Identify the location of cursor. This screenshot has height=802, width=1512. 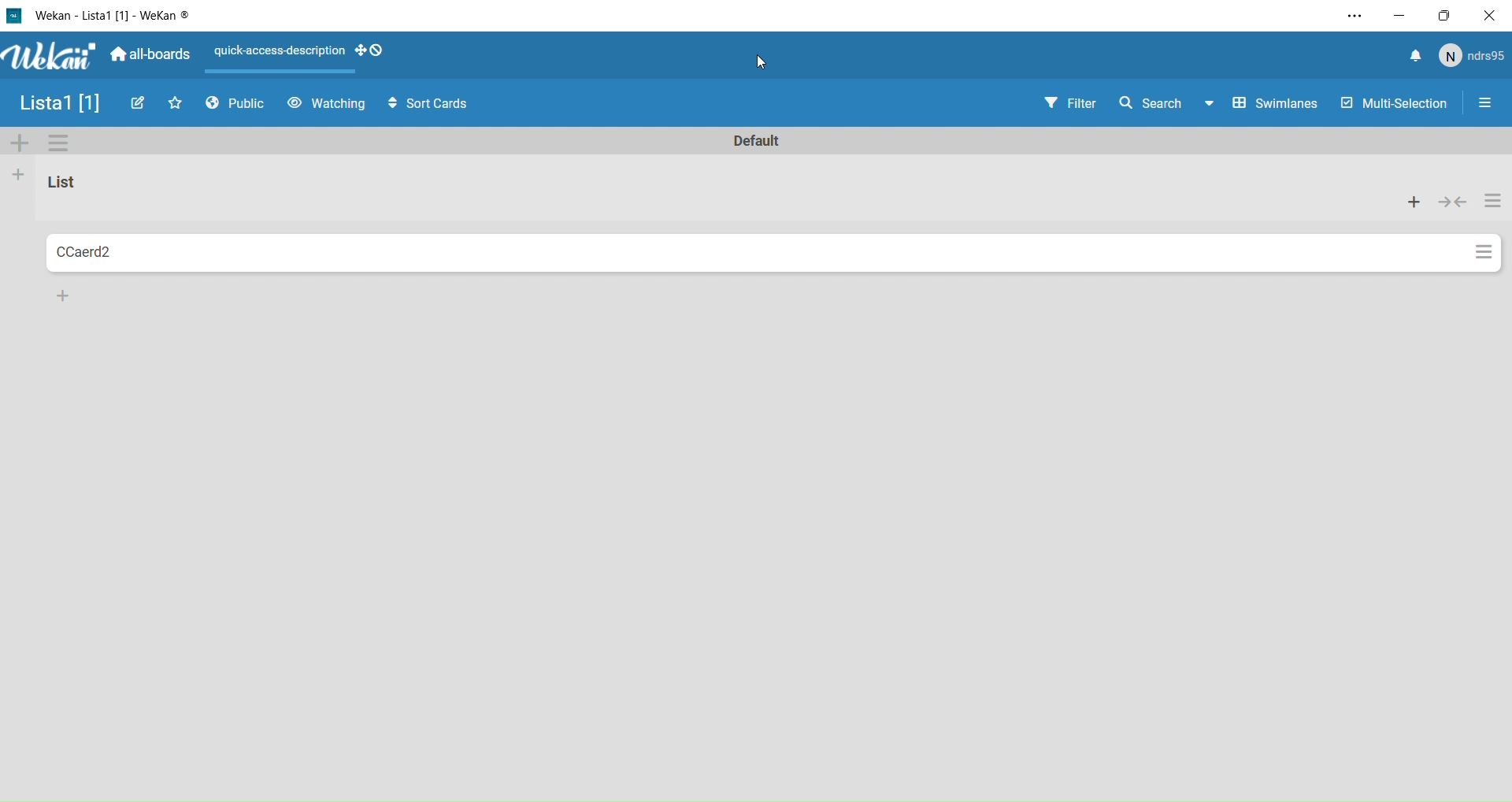
(765, 62).